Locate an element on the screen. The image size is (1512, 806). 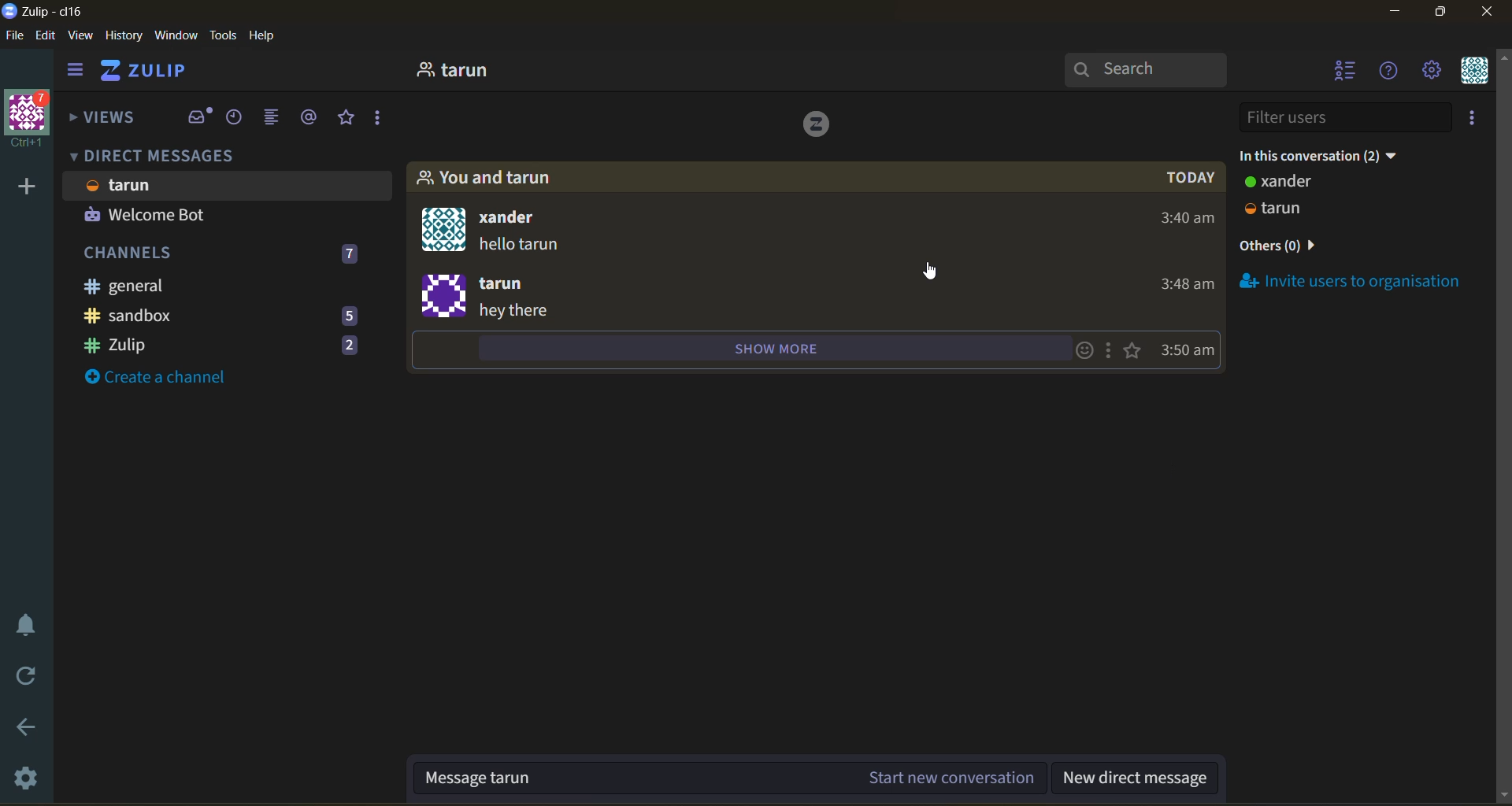
inbox is located at coordinates (199, 116).